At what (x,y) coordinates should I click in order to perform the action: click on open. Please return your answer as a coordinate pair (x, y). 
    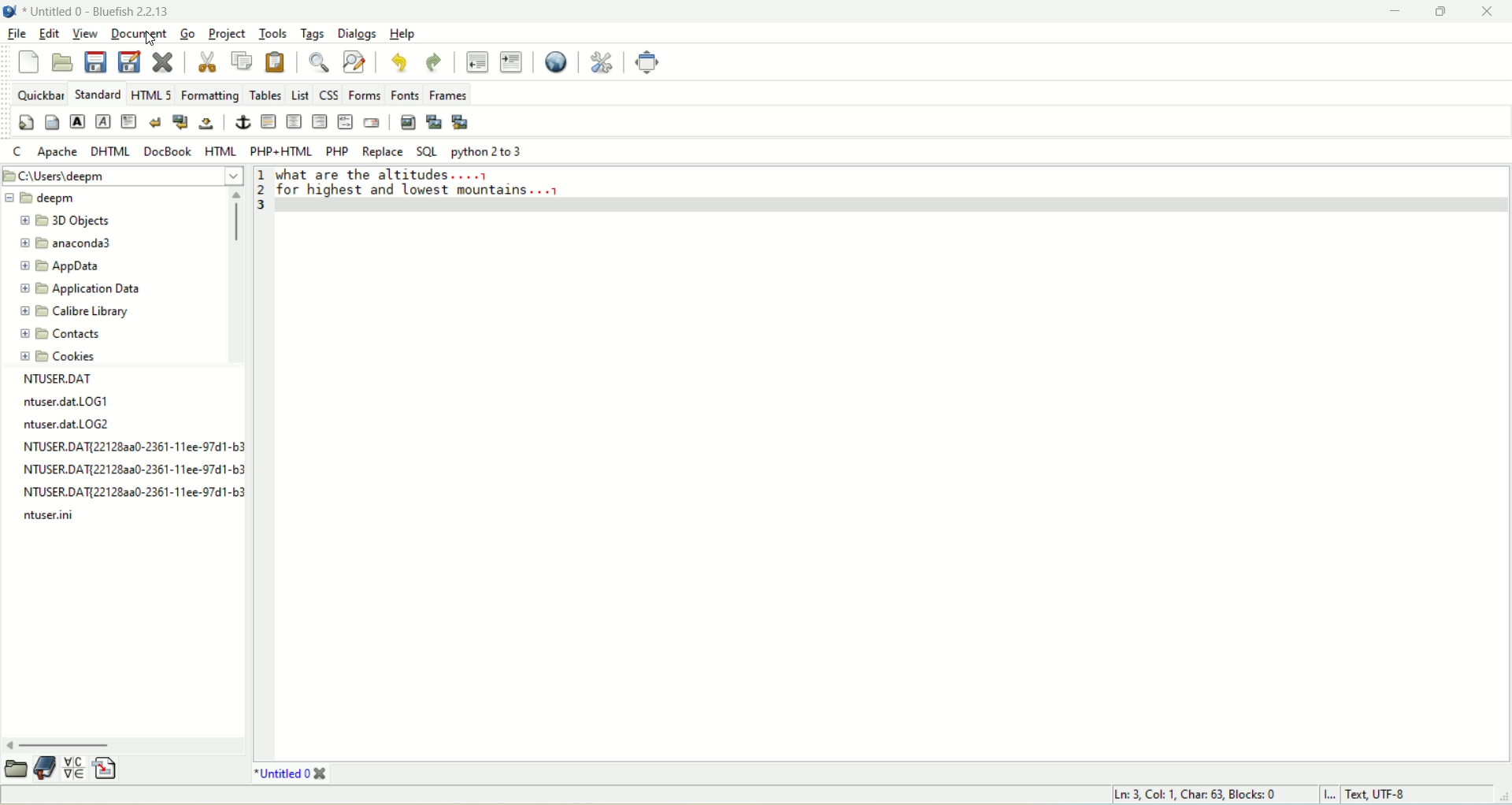
    Looking at the image, I should click on (13, 770).